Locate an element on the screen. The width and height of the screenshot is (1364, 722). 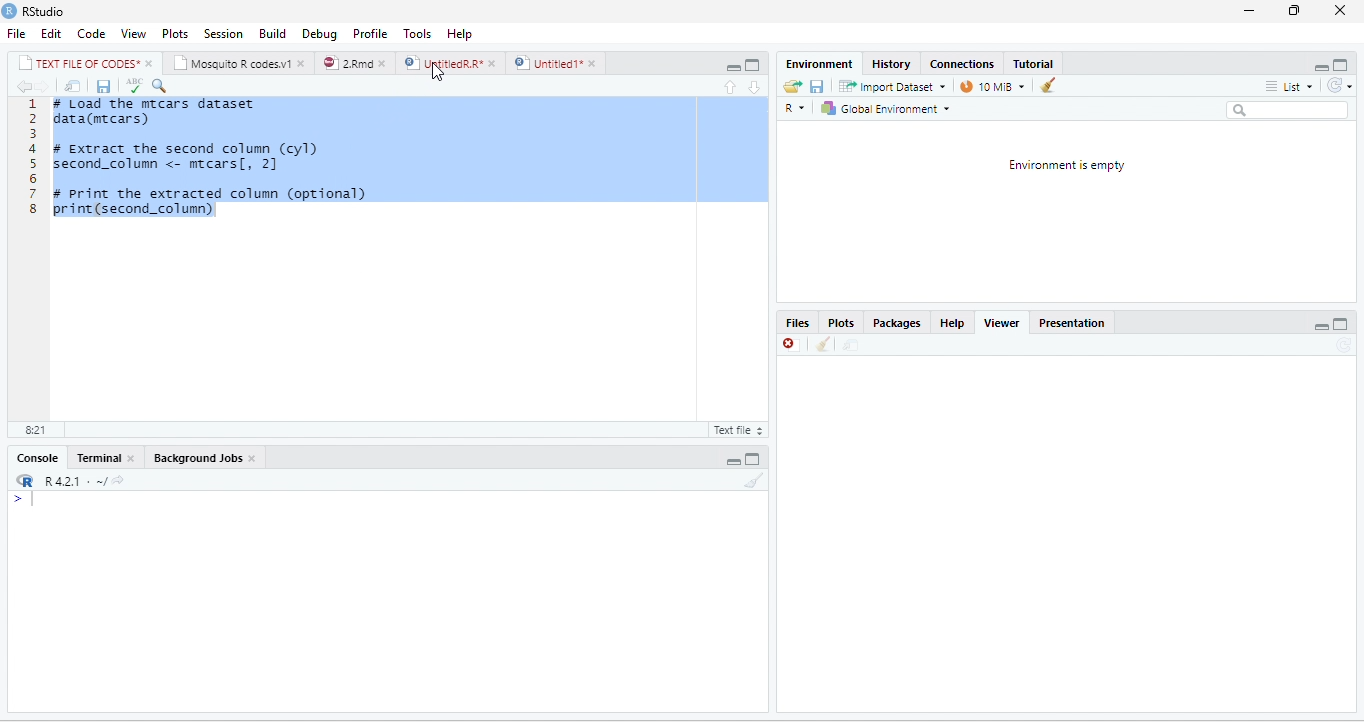
save  is located at coordinates (818, 86).